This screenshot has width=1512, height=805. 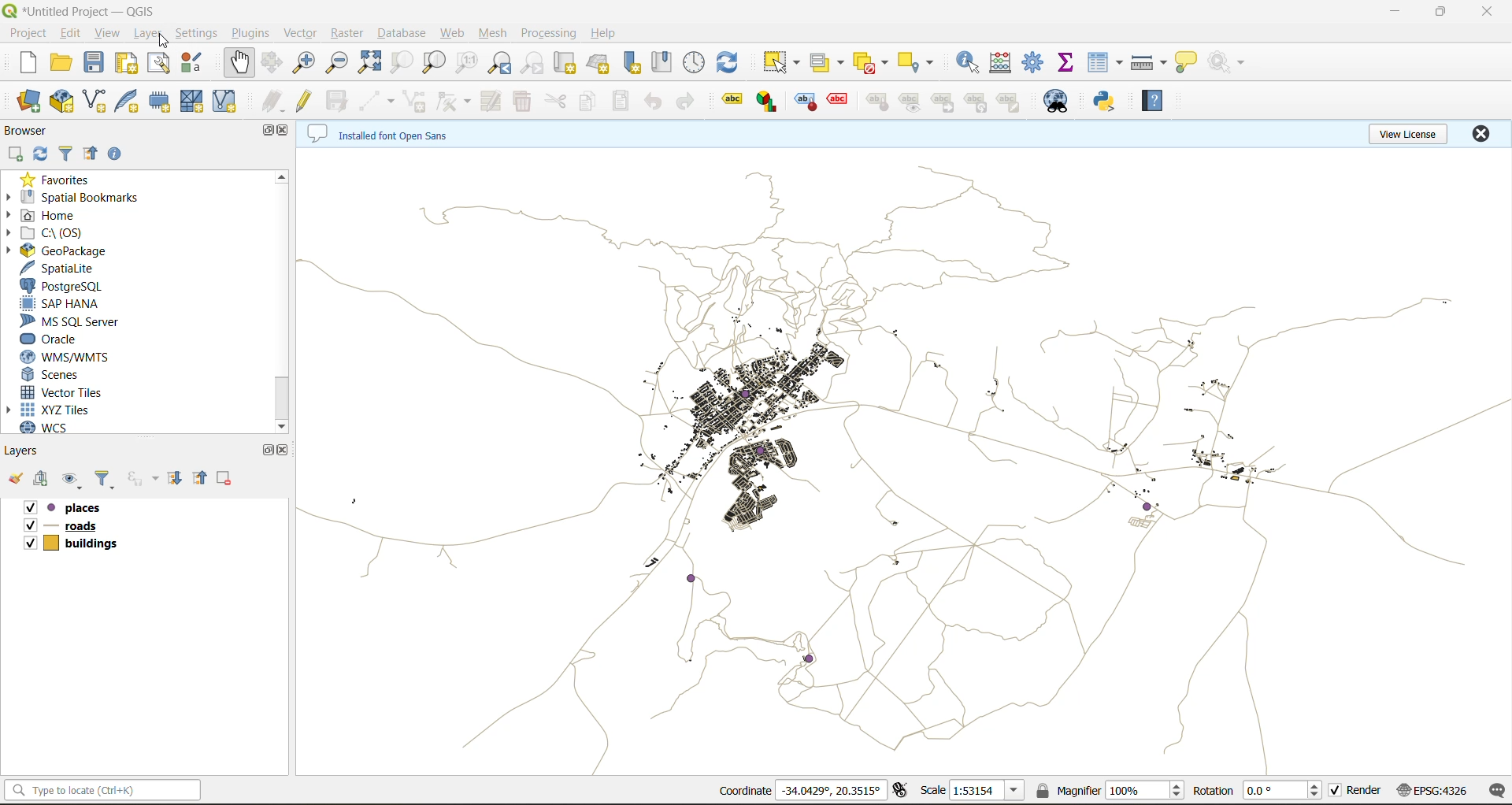 I want to click on help, so click(x=1151, y=102).